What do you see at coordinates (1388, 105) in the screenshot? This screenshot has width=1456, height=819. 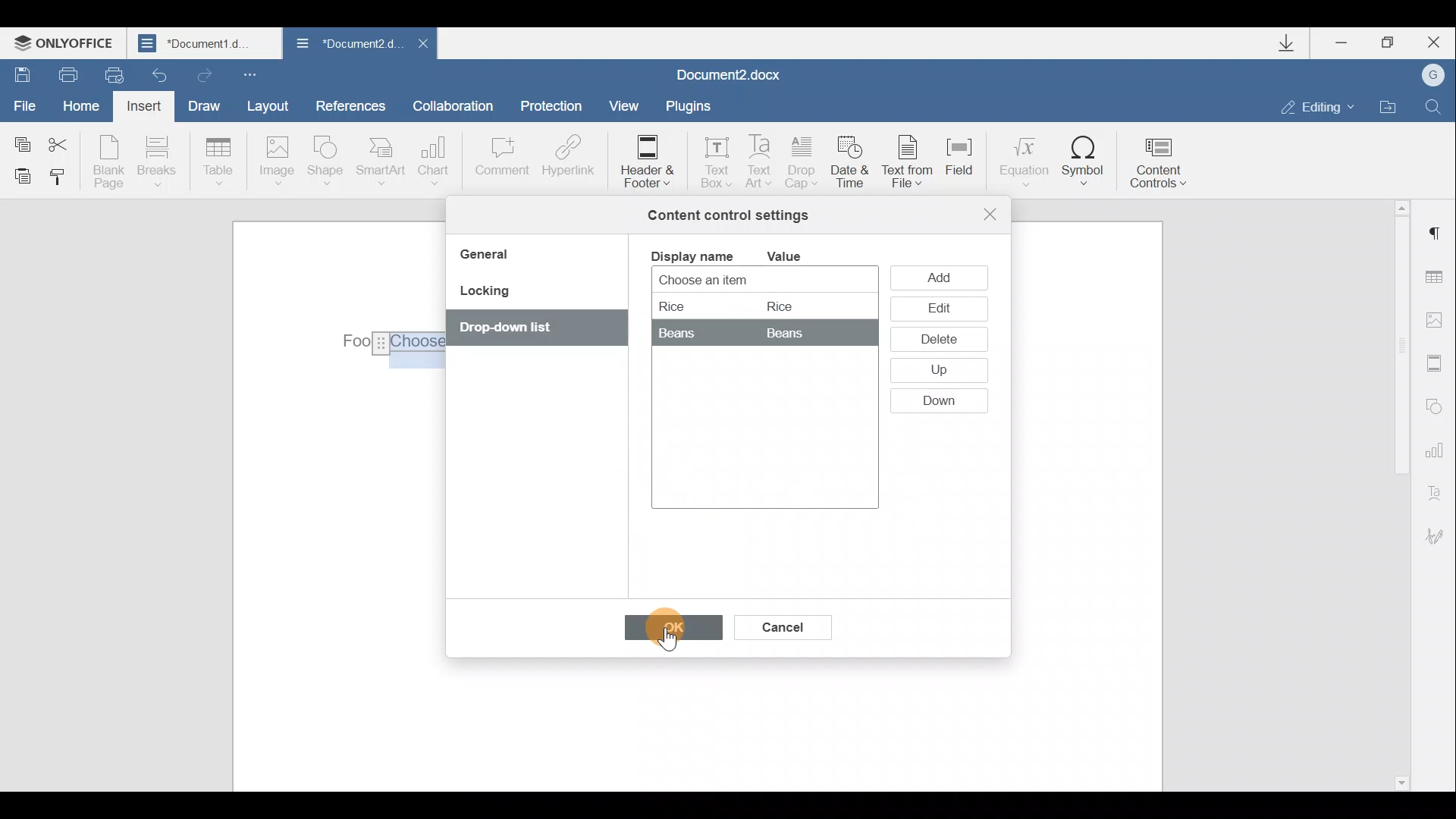 I see `Open file location` at bounding box center [1388, 105].